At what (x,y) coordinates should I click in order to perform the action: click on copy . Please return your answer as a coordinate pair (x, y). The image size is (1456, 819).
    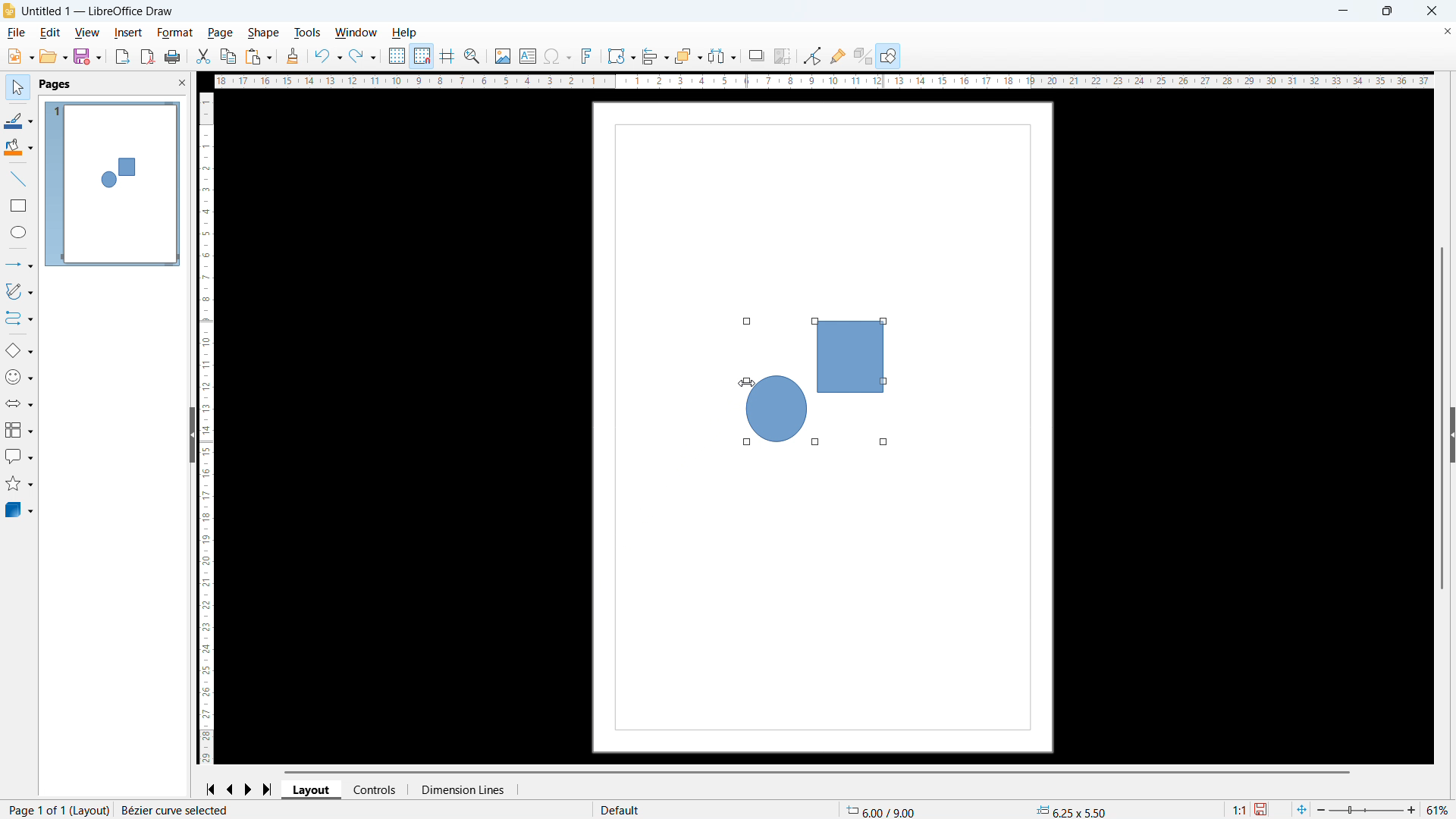
    Looking at the image, I should click on (229, 56).